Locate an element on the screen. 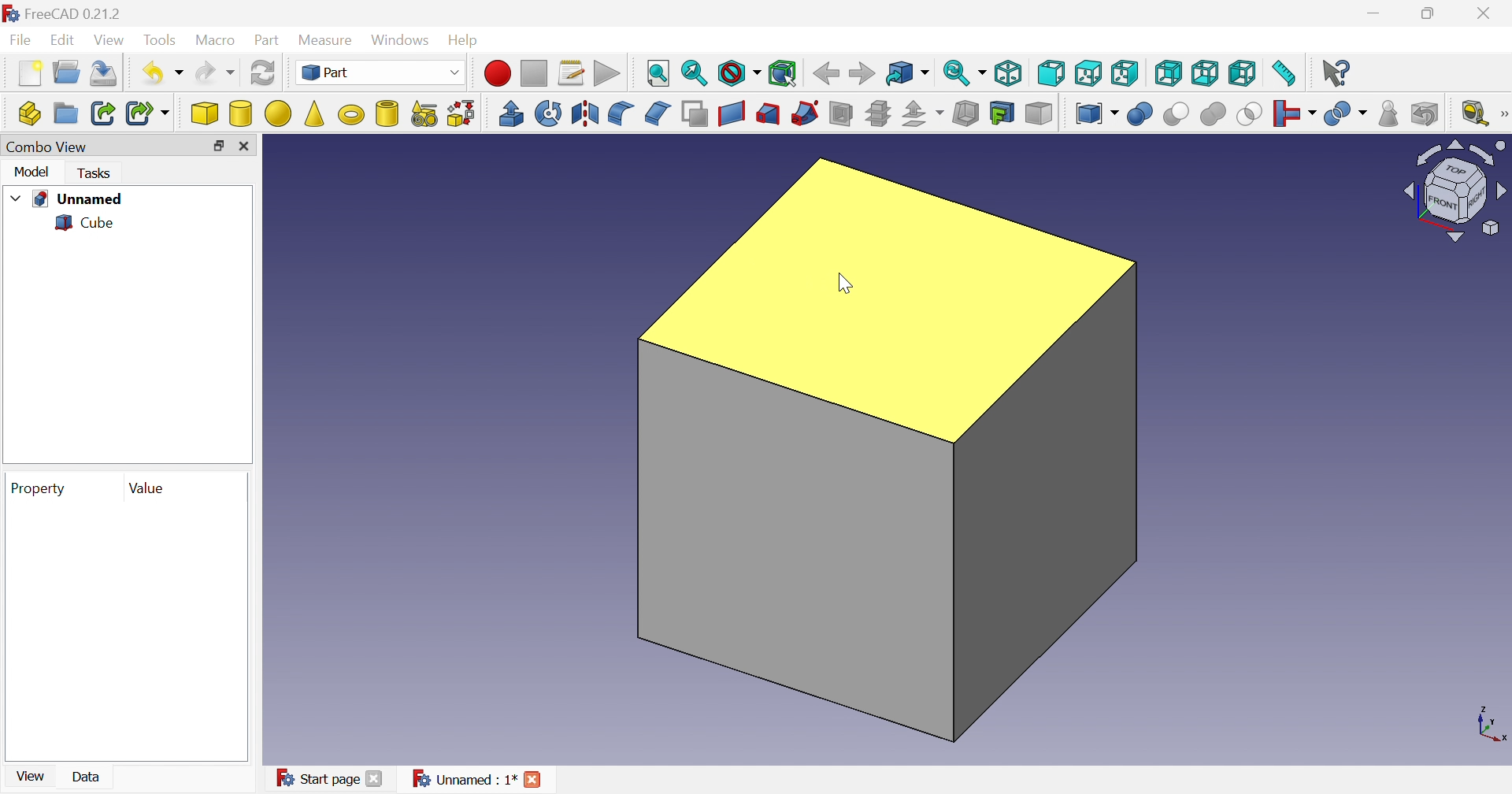 The height and width of the screenshot is (794, 1512). Stop macro recording is located at coordinates (536, 74).